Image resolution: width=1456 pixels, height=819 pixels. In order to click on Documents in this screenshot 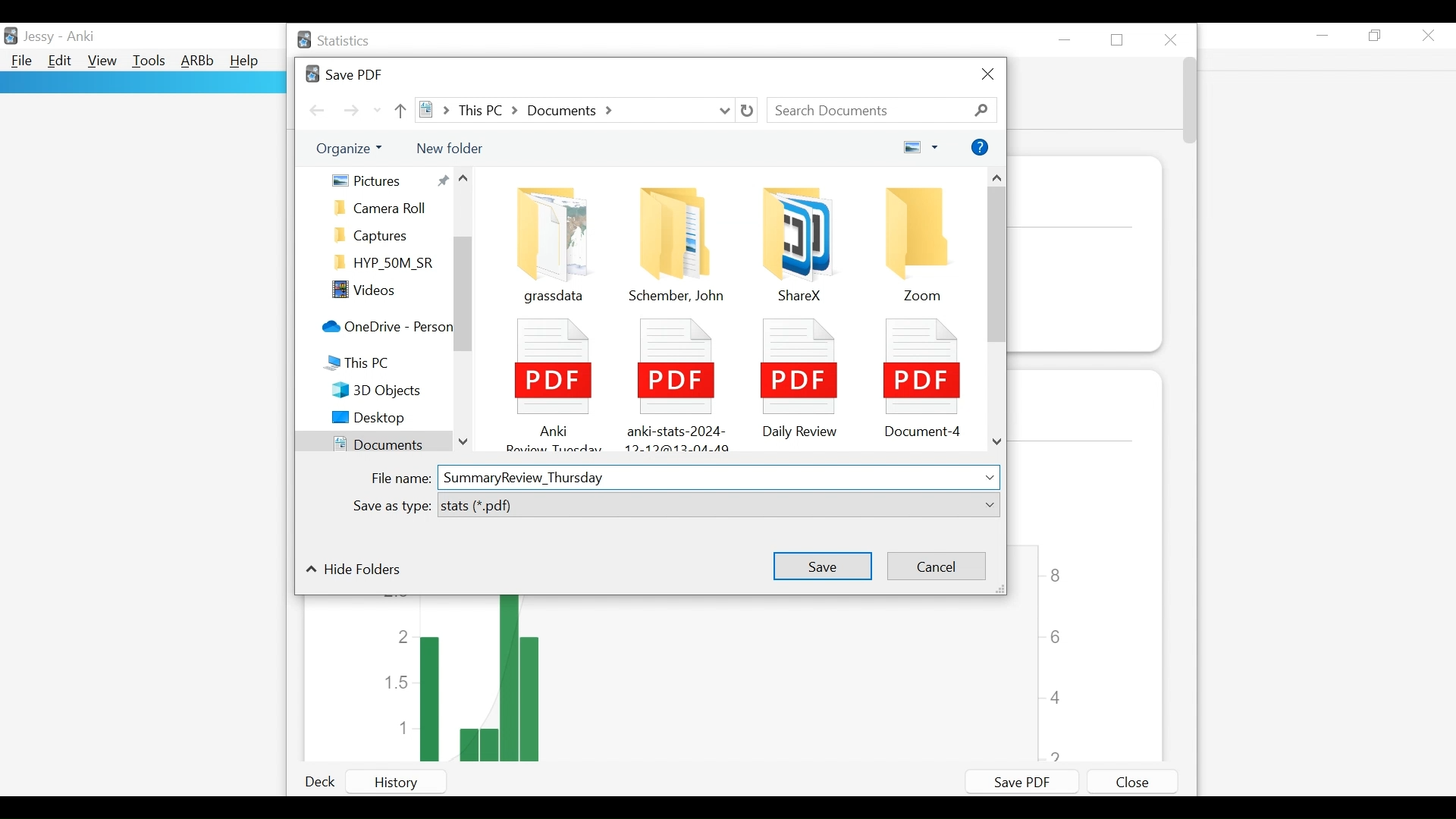, I will do `click(371, 442)`.